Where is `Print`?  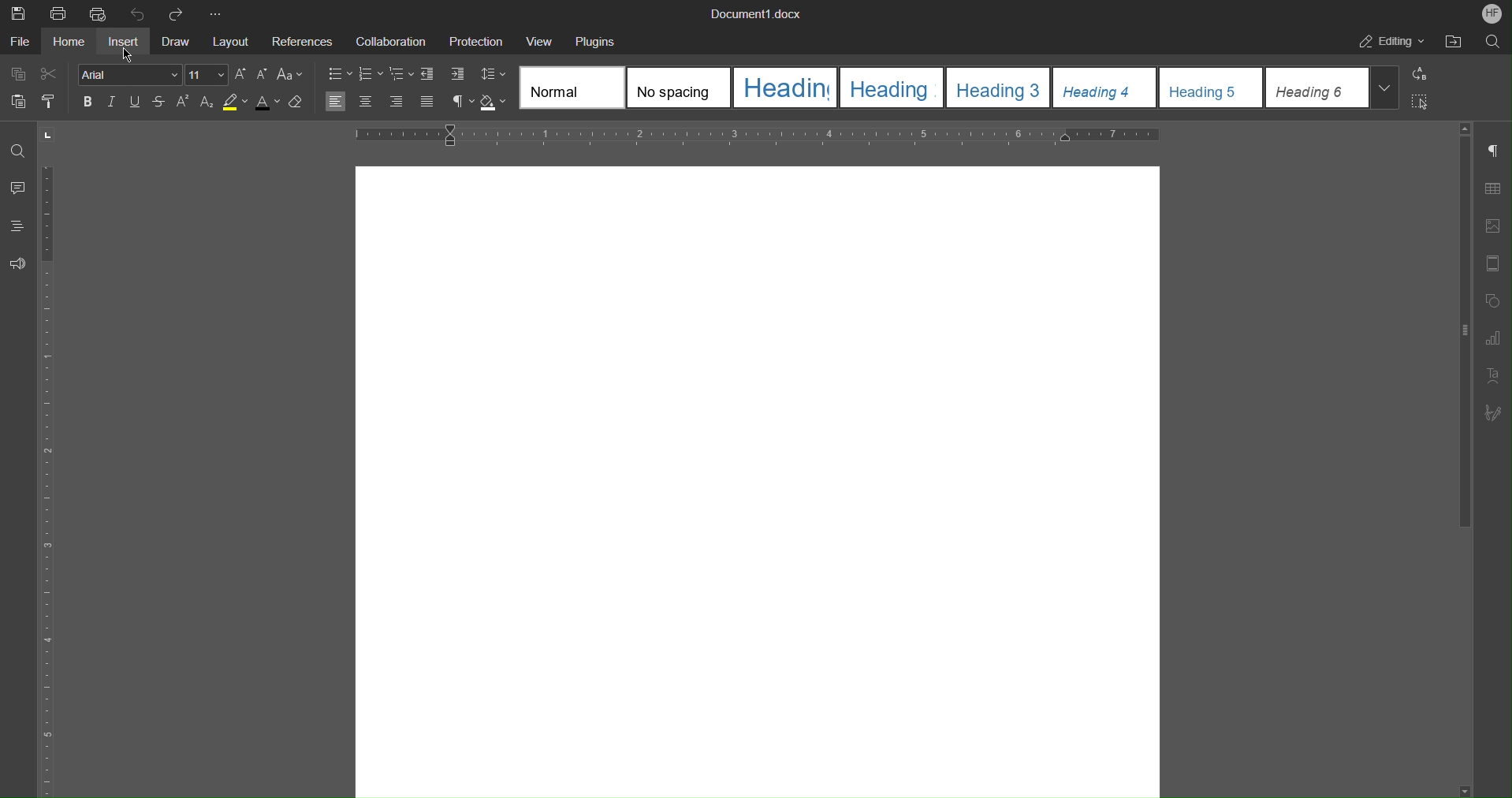
Print is located at coordinates (59, 13).